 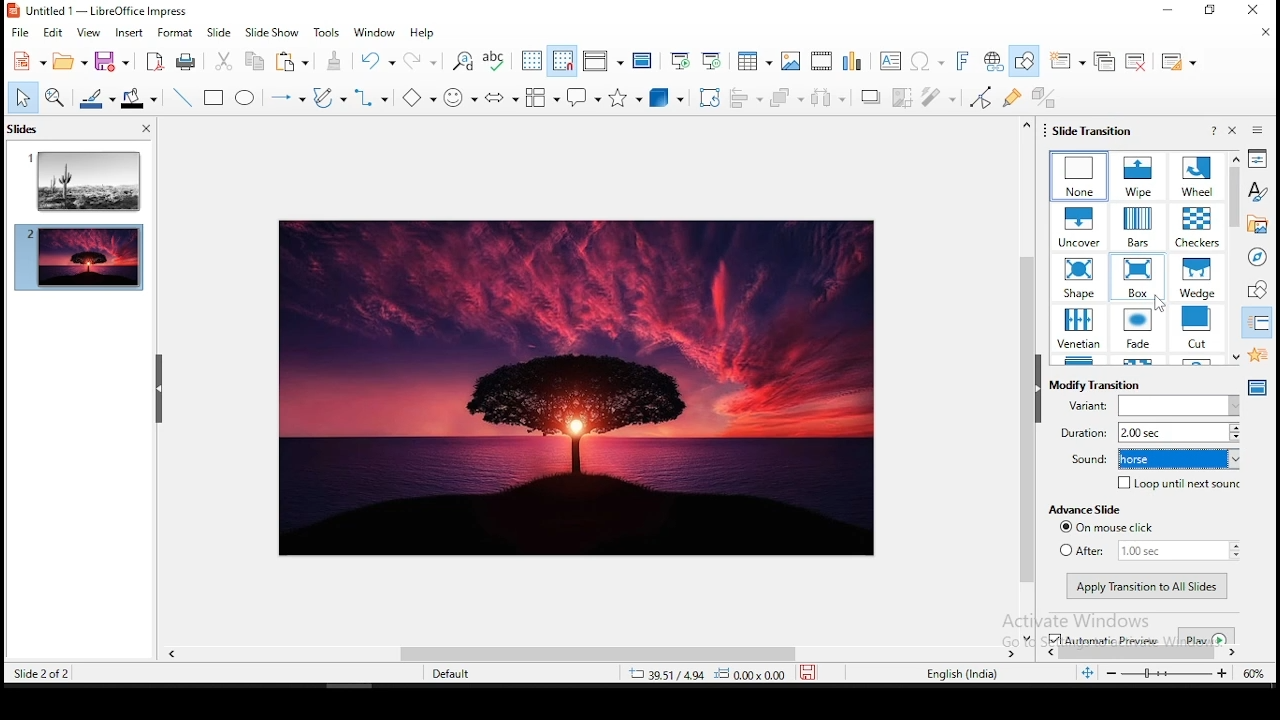 What do you see at coordinates (55, 97) in the screenshot?
I see `zoom and pan` at bounding box center [55, 97].